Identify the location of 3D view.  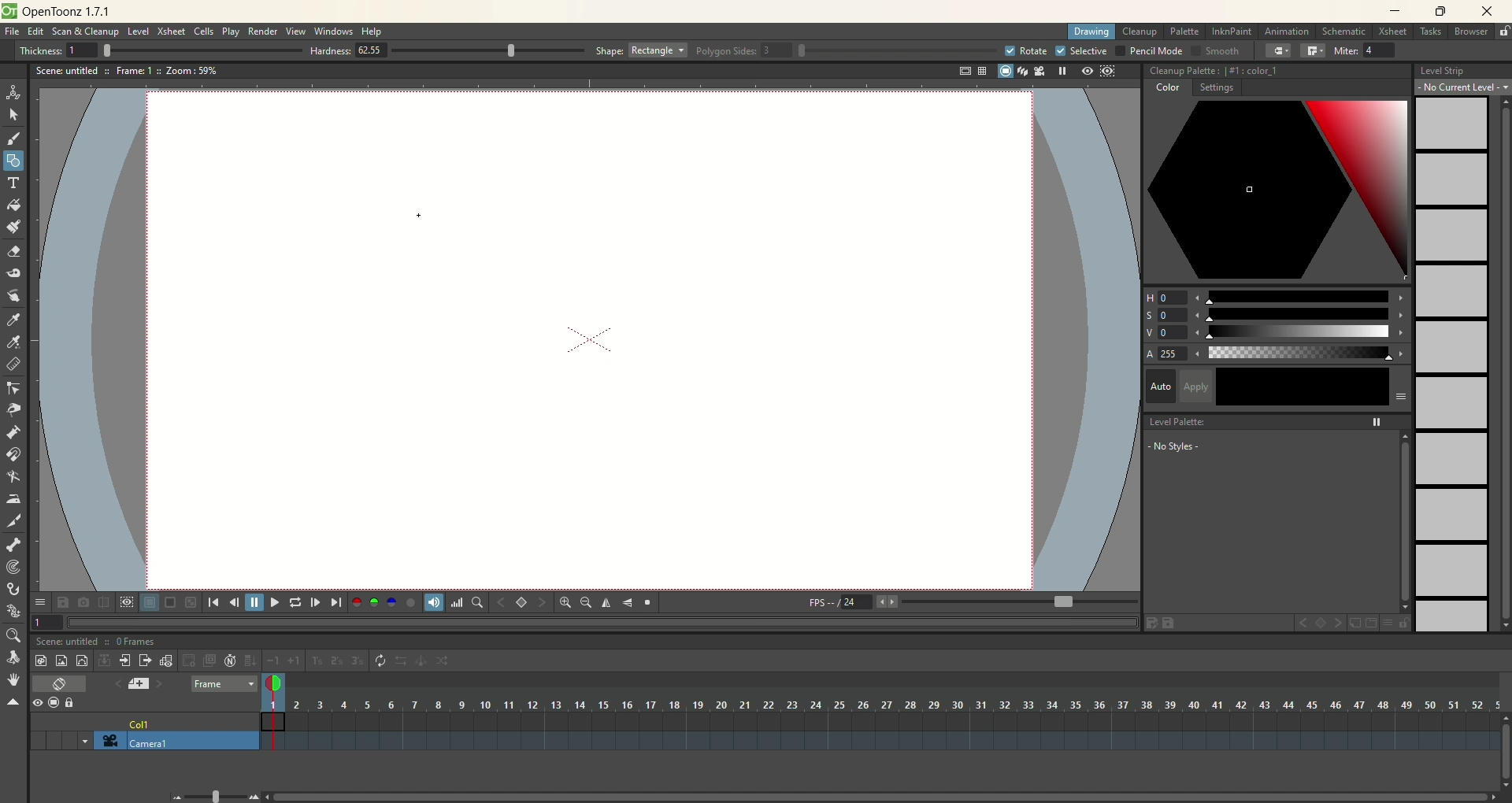
(1020, 72).